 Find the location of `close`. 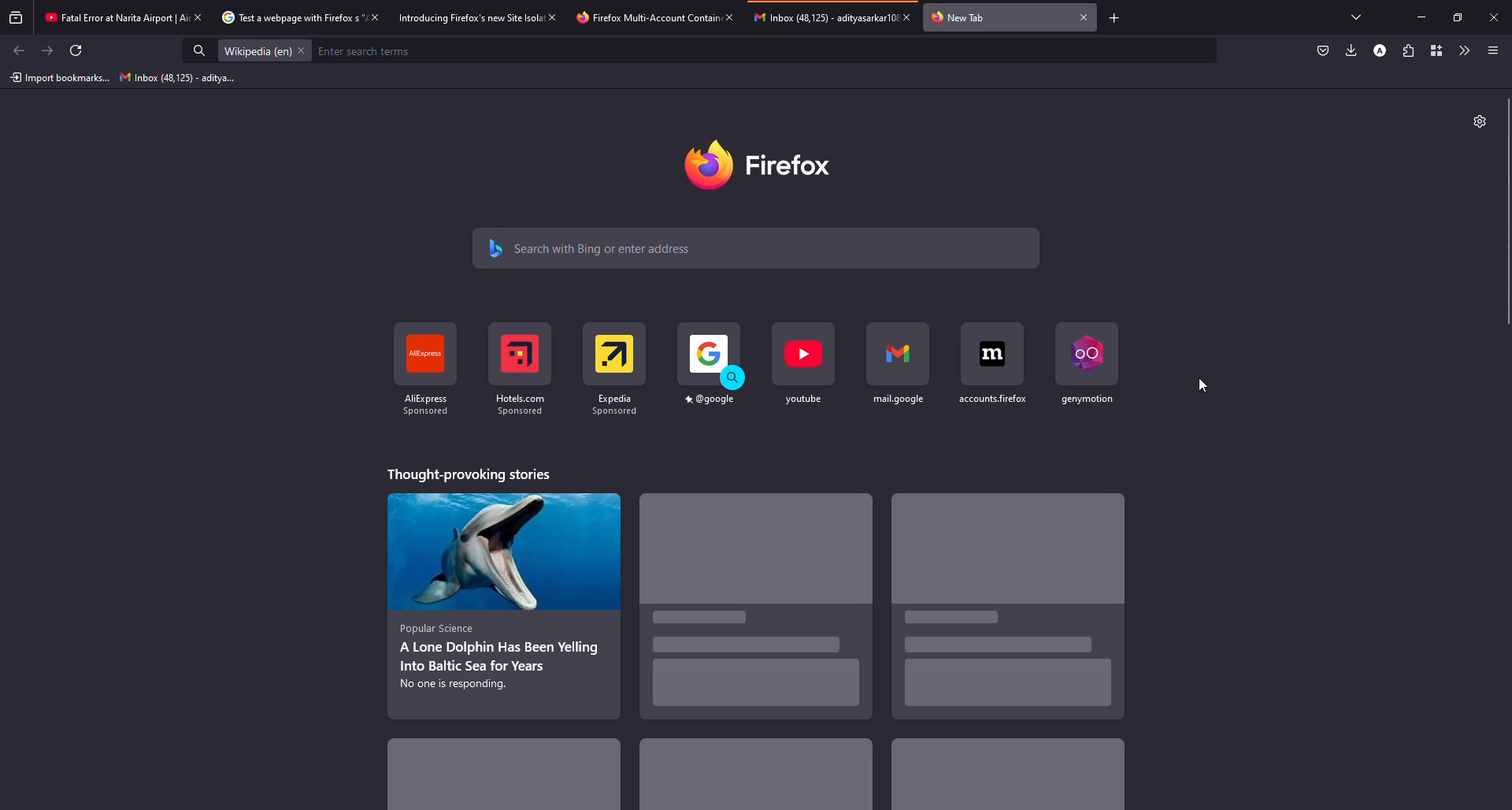

close is located at coordinates (731, 16).